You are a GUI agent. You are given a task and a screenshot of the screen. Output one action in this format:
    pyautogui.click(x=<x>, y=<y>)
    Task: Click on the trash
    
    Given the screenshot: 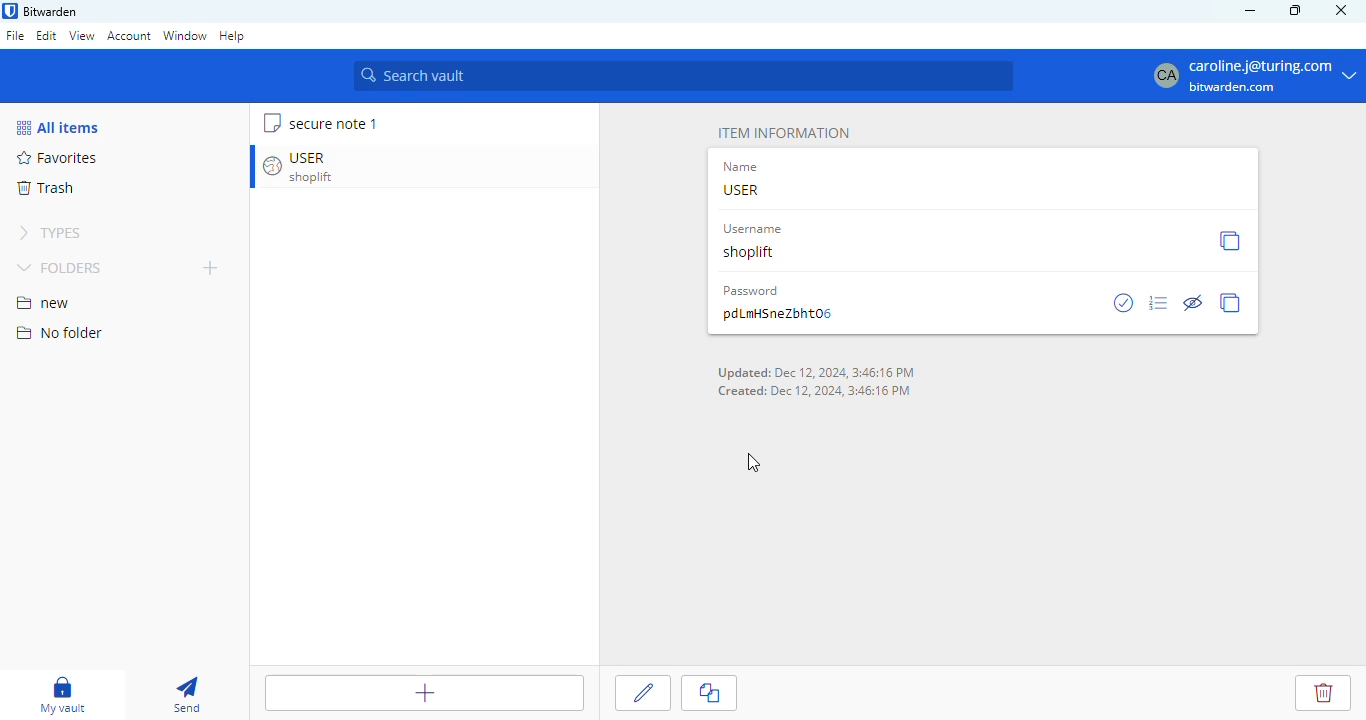 What is the action you would take?
    pyautogui.click(x=46, y=188)
    